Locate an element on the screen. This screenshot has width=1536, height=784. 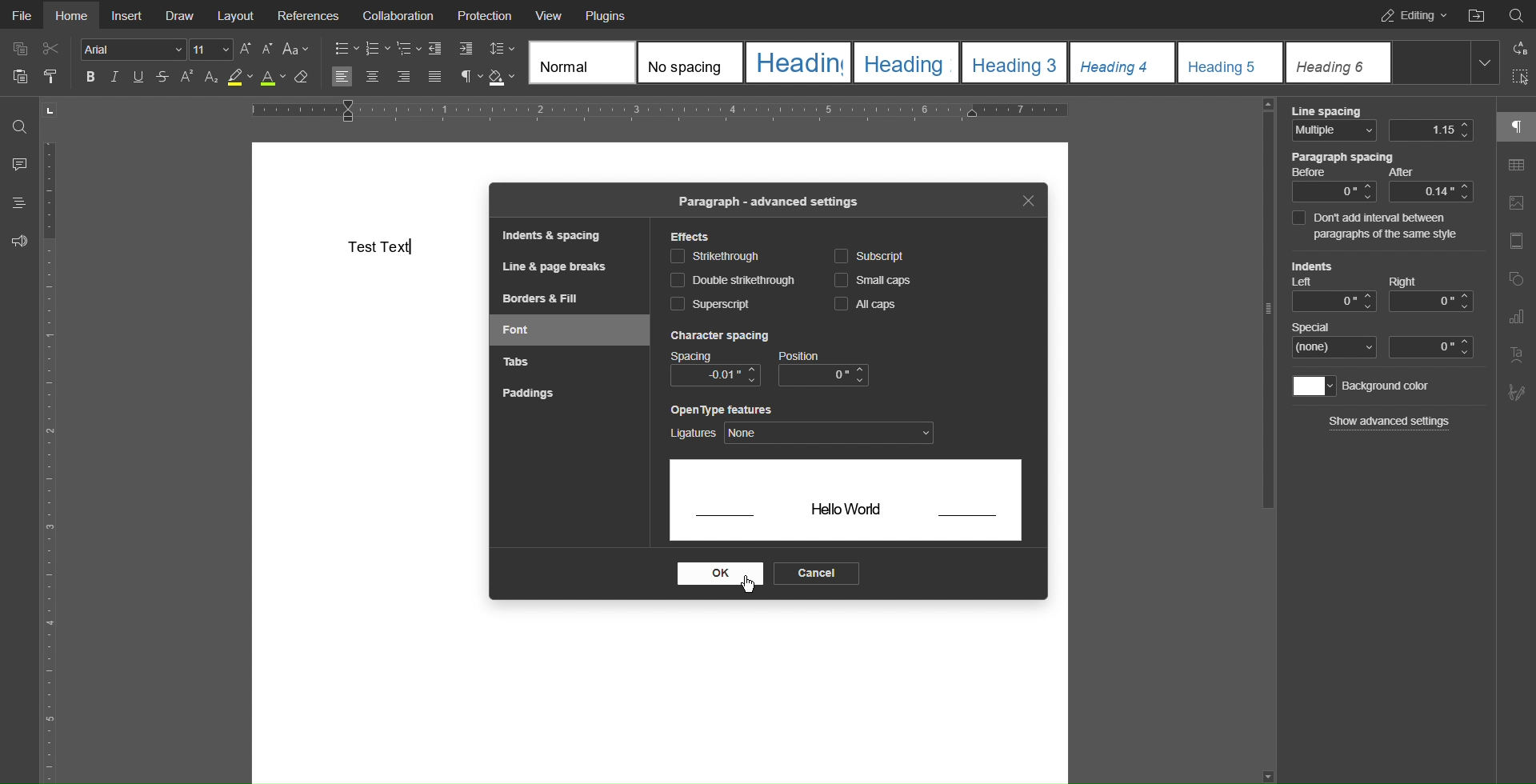
Position is located at coordinates (824, 369).